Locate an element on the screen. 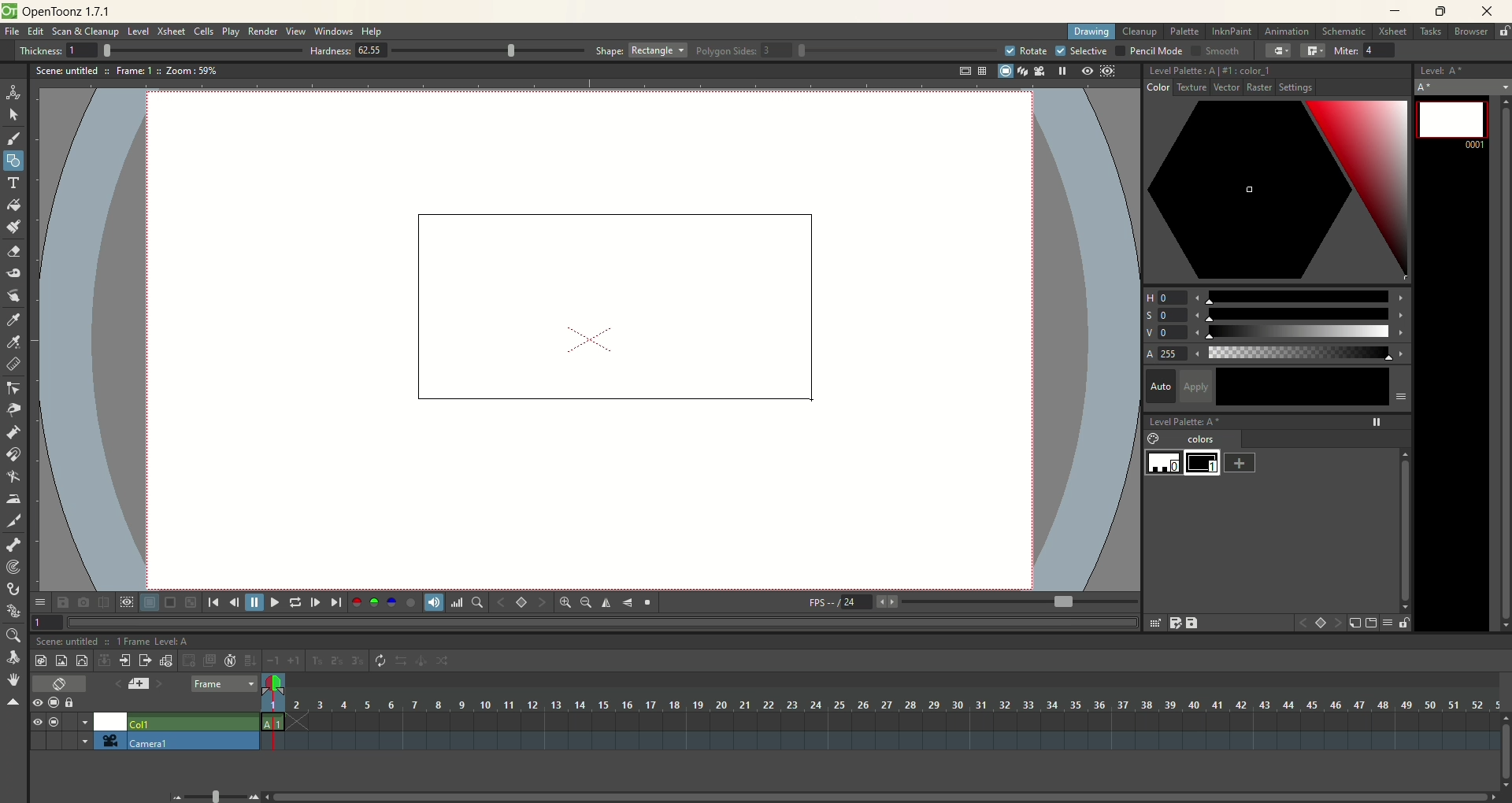  rectangle shape is located at coordinates (606, 302).